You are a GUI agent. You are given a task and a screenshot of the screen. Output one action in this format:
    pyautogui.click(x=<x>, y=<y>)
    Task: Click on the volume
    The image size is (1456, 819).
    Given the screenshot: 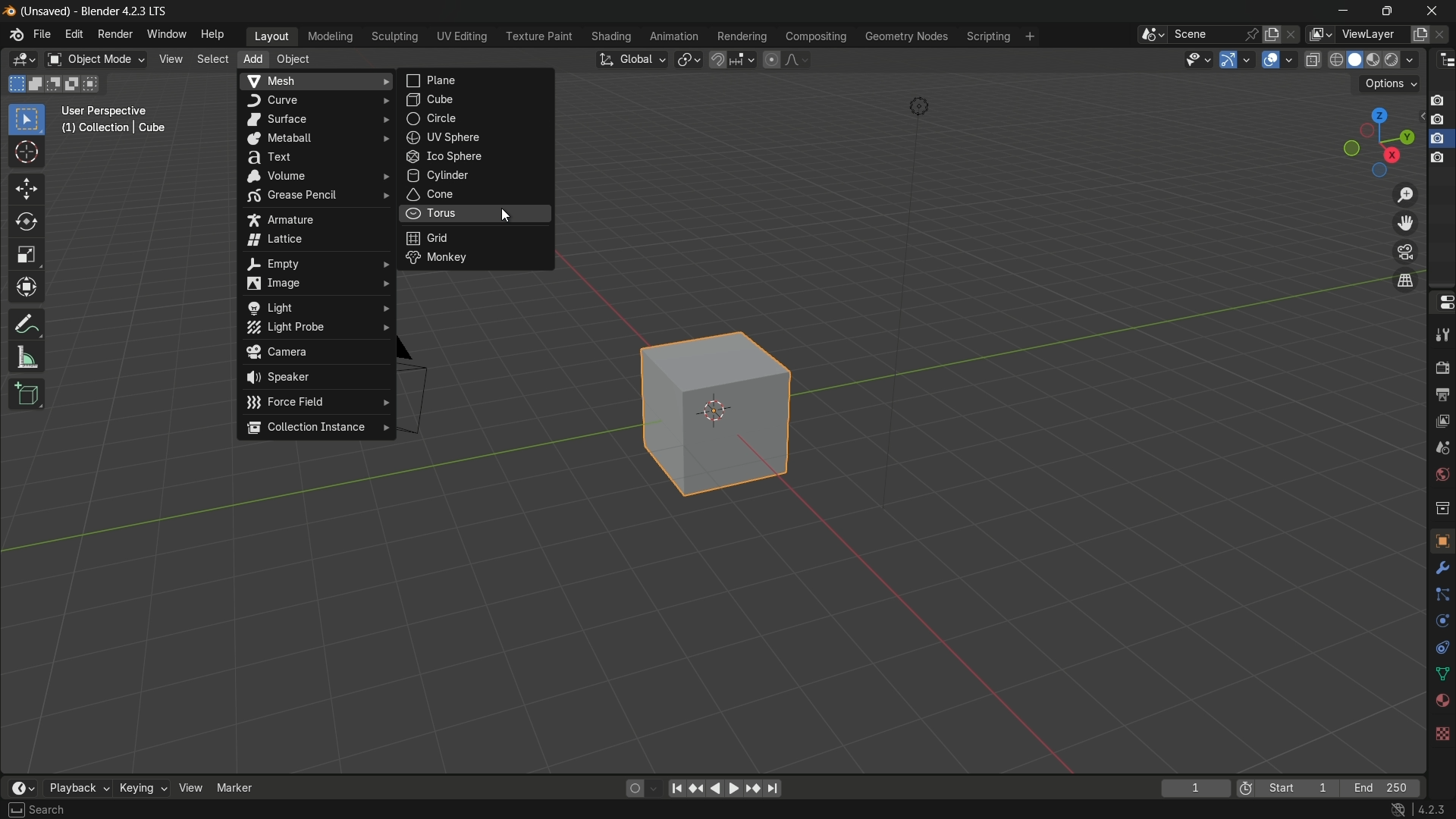 What is the action you would take?
    pyautogui.click(x=313, y=176)
    